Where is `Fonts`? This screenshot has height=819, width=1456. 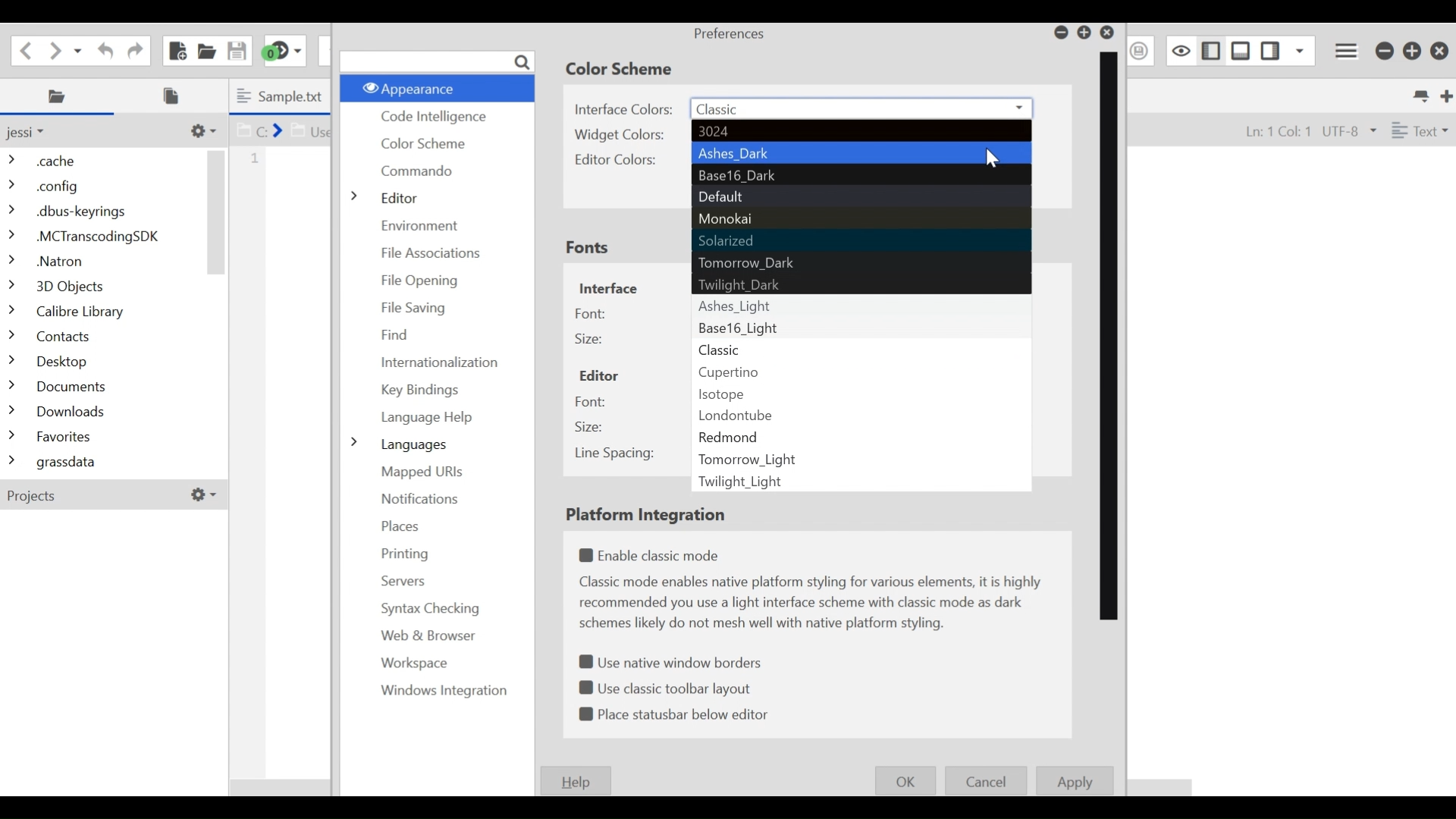
Fonts is located at coordinates (588, 249).